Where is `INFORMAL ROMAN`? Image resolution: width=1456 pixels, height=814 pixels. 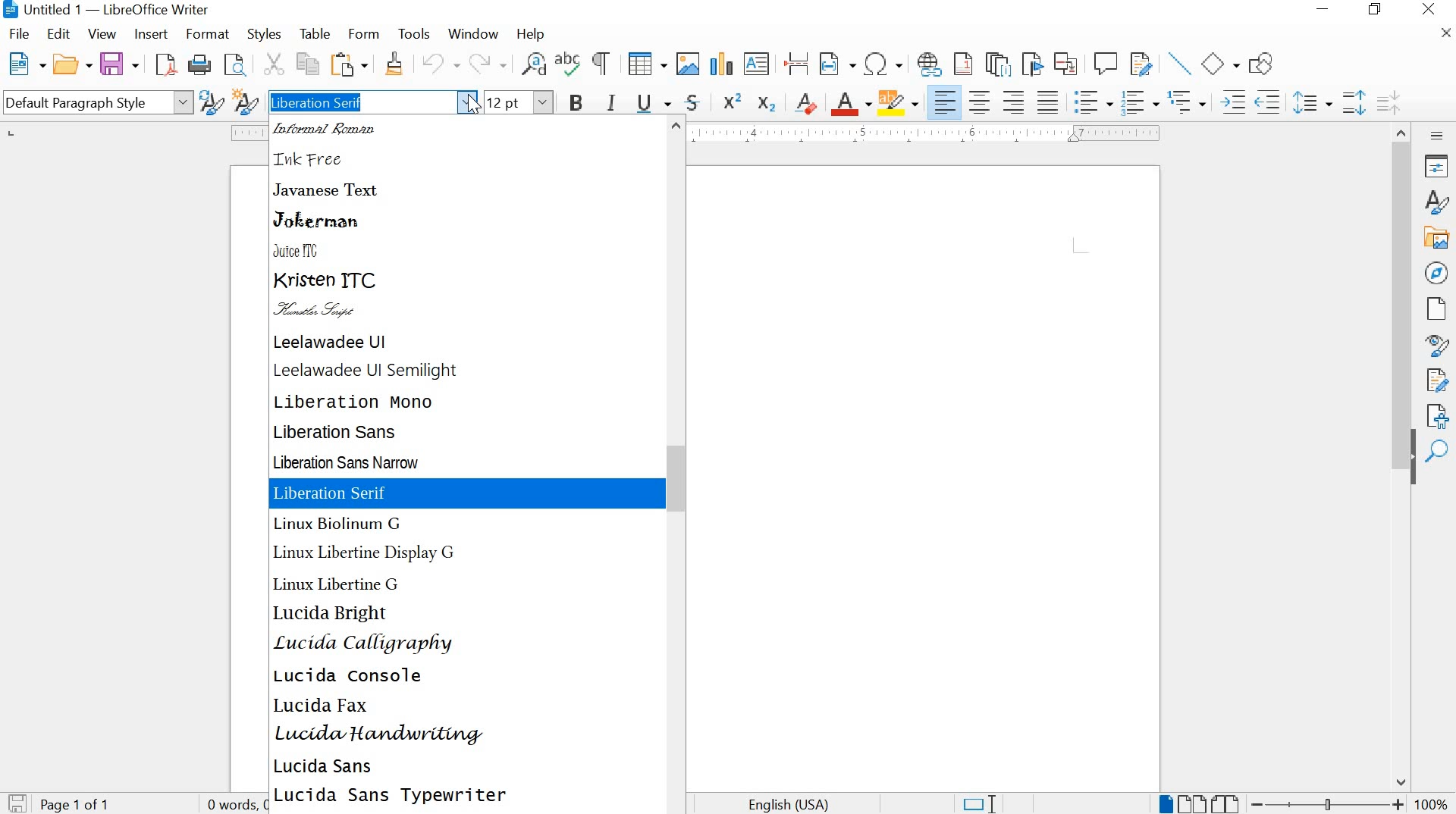 INFORMAL ROMAN is located at coordinates (334, 130).